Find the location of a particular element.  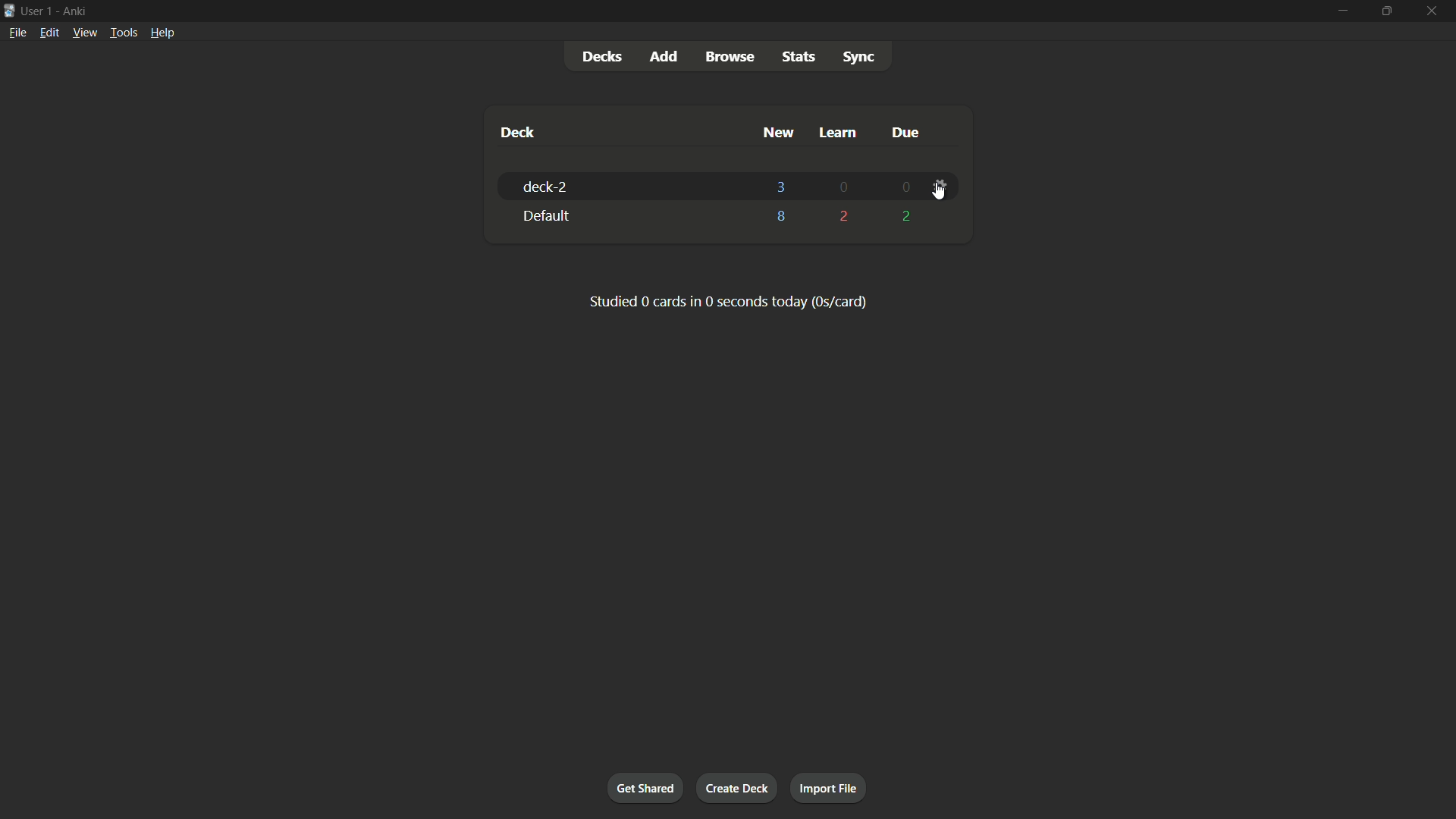

new is located at coordinates (777, 133).